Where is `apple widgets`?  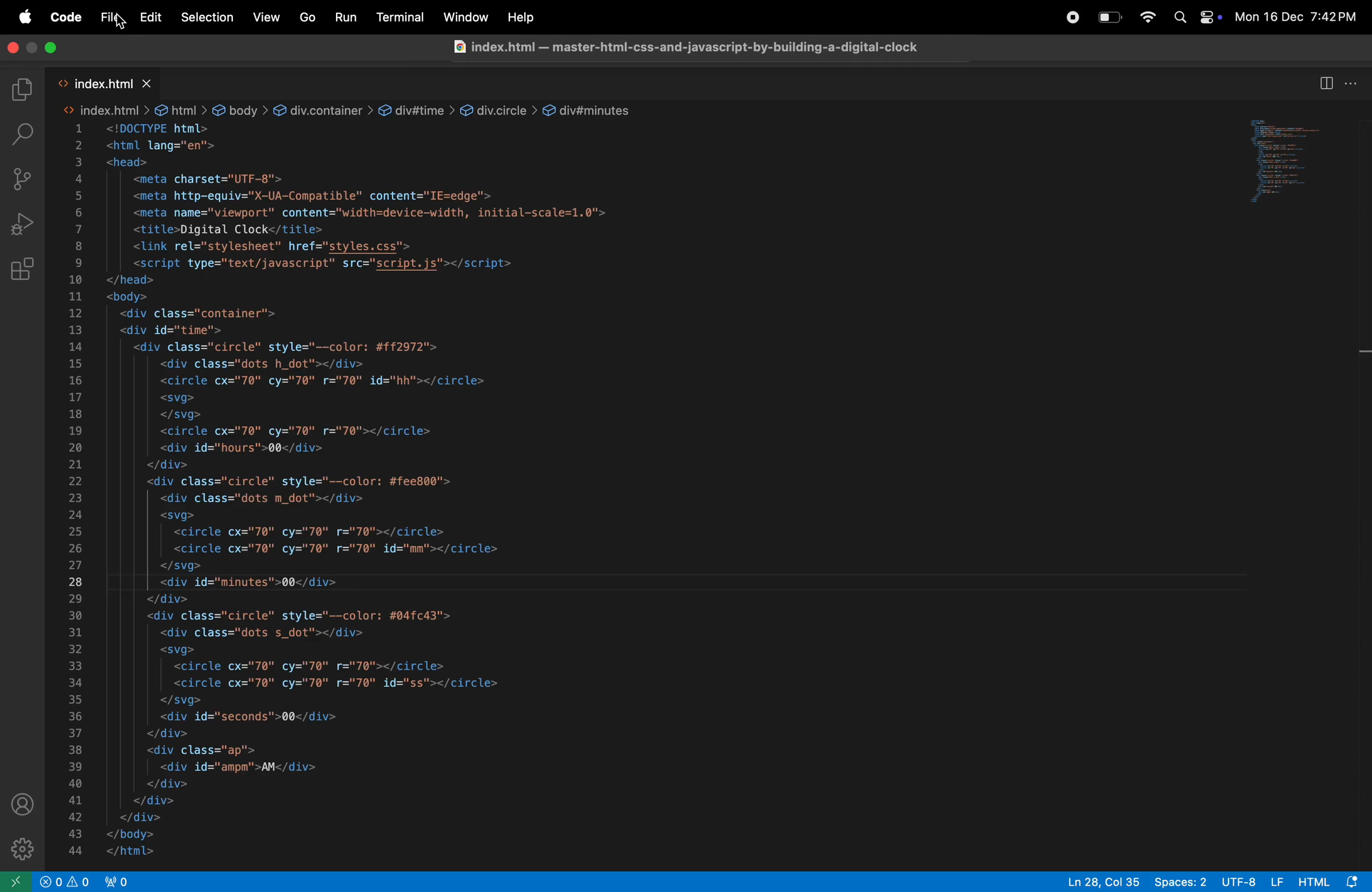 apple widgets is located at coordinates (1209, 19).